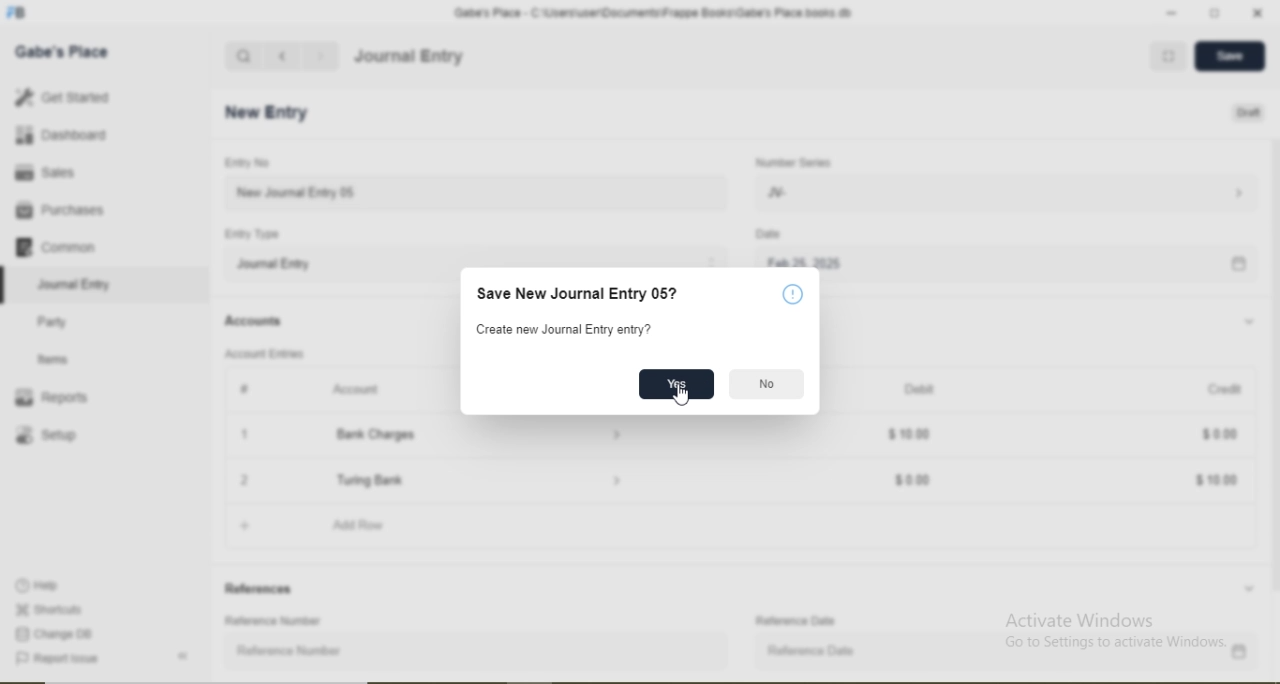 The height and width of the screenshot is (684, 1280). I want to click on notice, so click(794, 296).